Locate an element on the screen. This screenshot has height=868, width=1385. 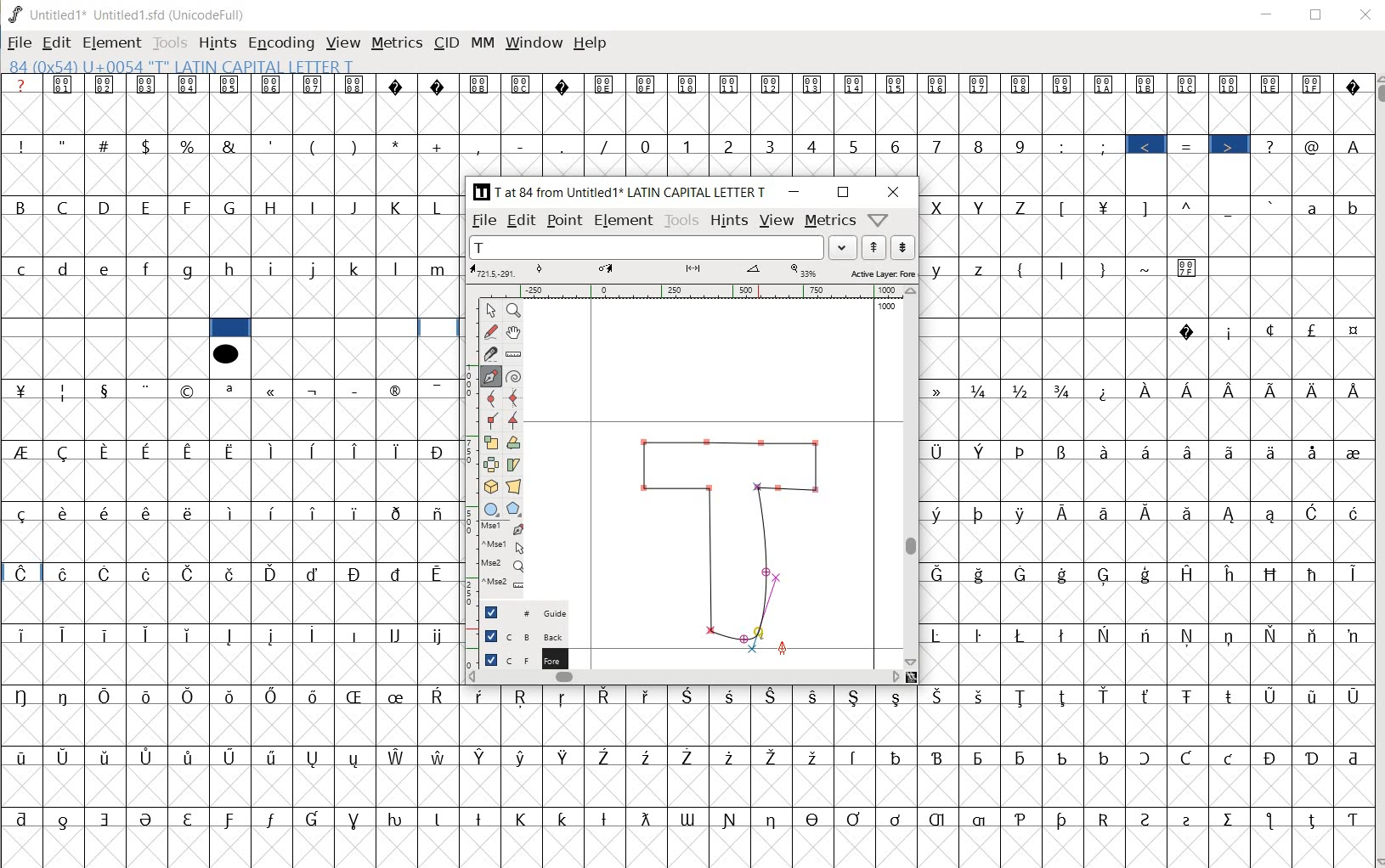
Symbol is located at coordinates (898, 86).